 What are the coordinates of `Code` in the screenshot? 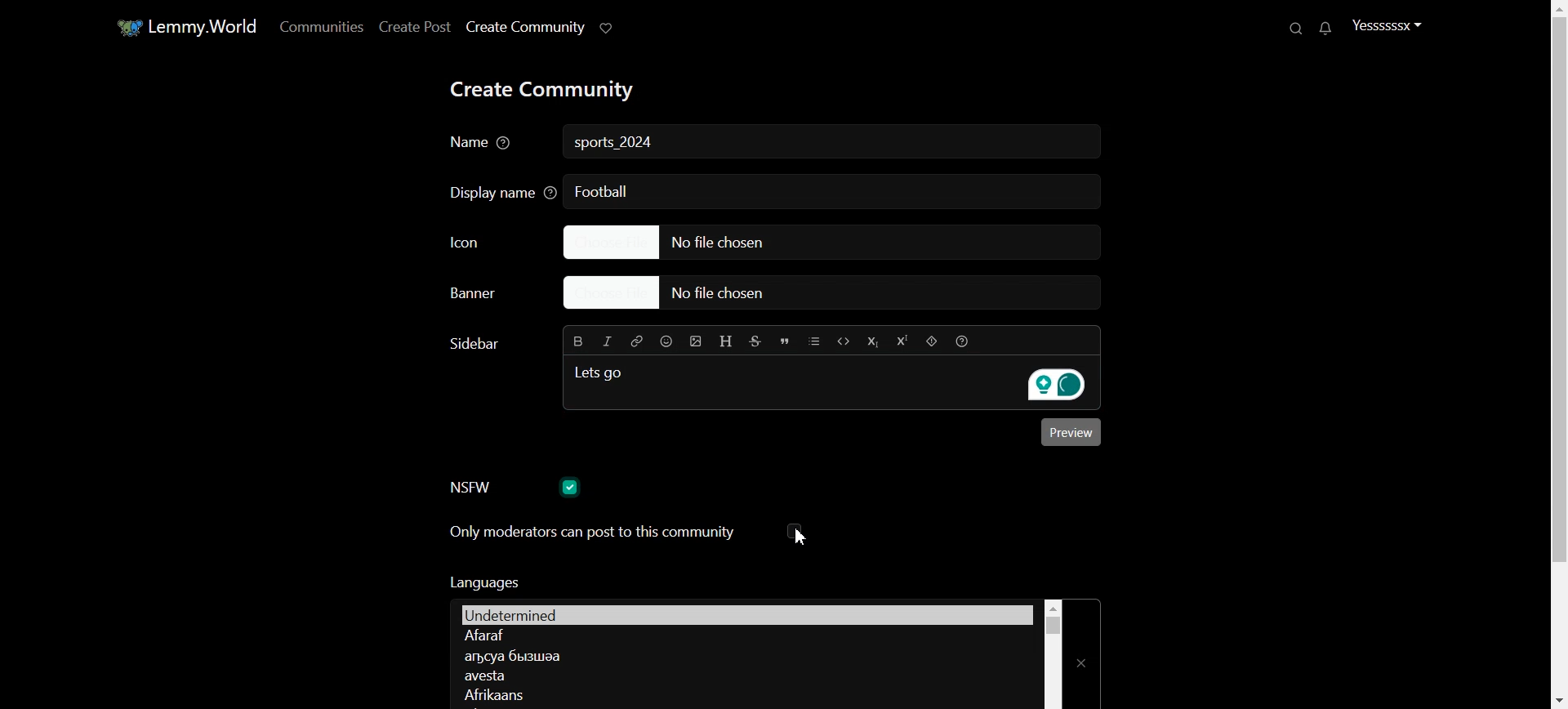 It's located at (844, 341).